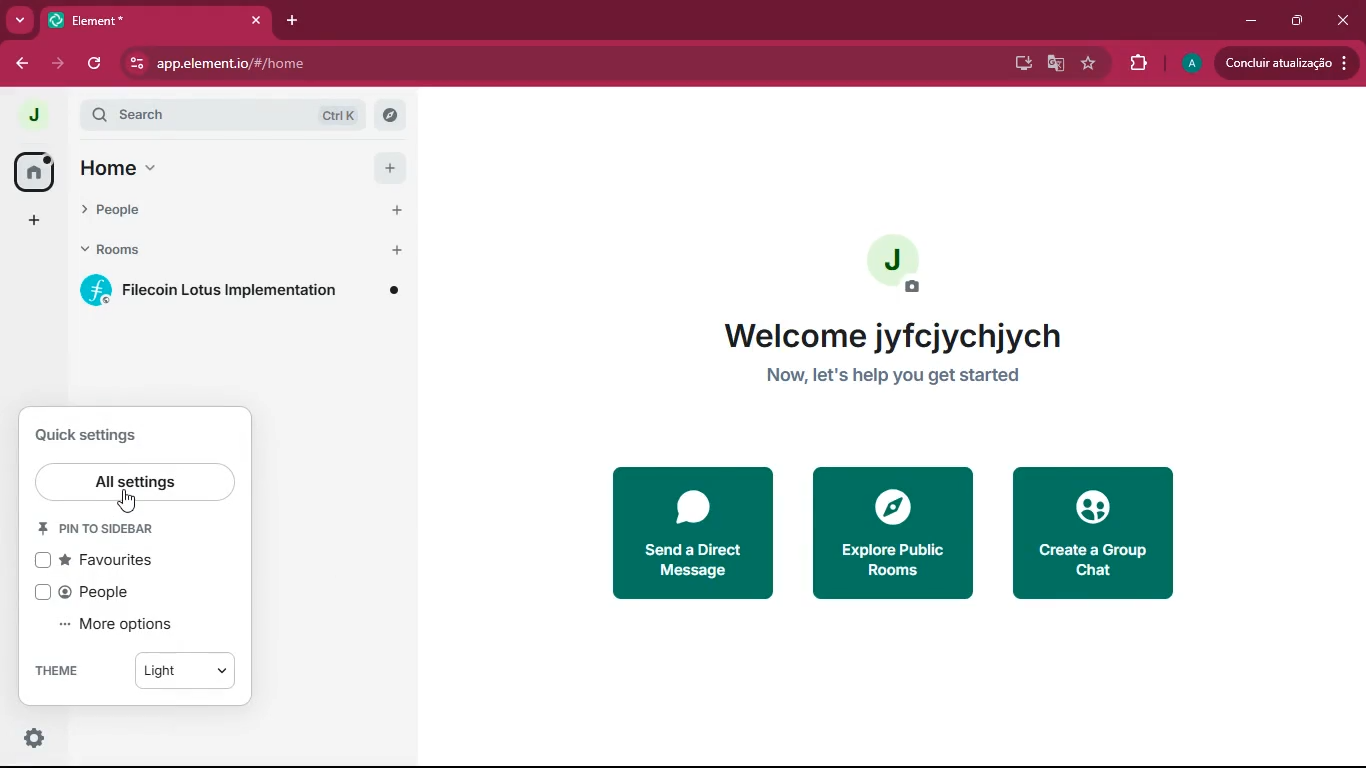  I want to click on profile, so click(895, 267).